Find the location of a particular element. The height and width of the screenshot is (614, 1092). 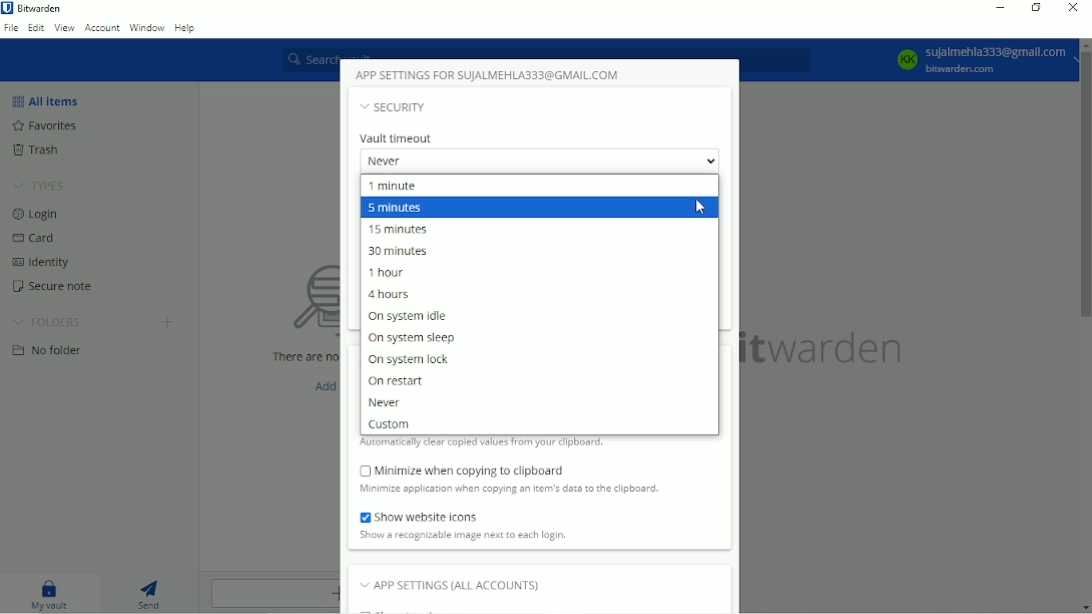

Security is located at coordinates (397, 107).